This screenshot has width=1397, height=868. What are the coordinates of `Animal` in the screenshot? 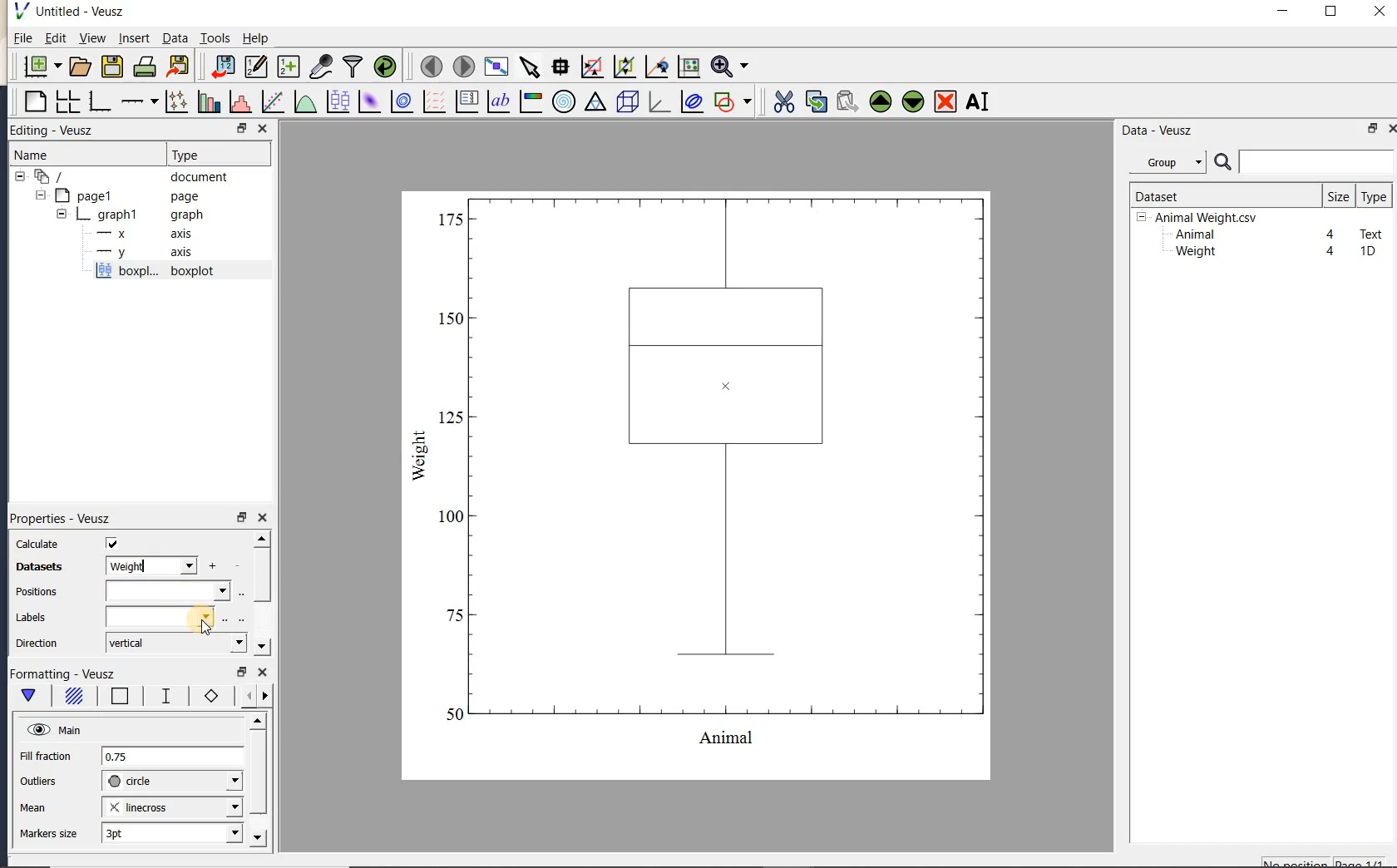 It's located at (1193, 235).